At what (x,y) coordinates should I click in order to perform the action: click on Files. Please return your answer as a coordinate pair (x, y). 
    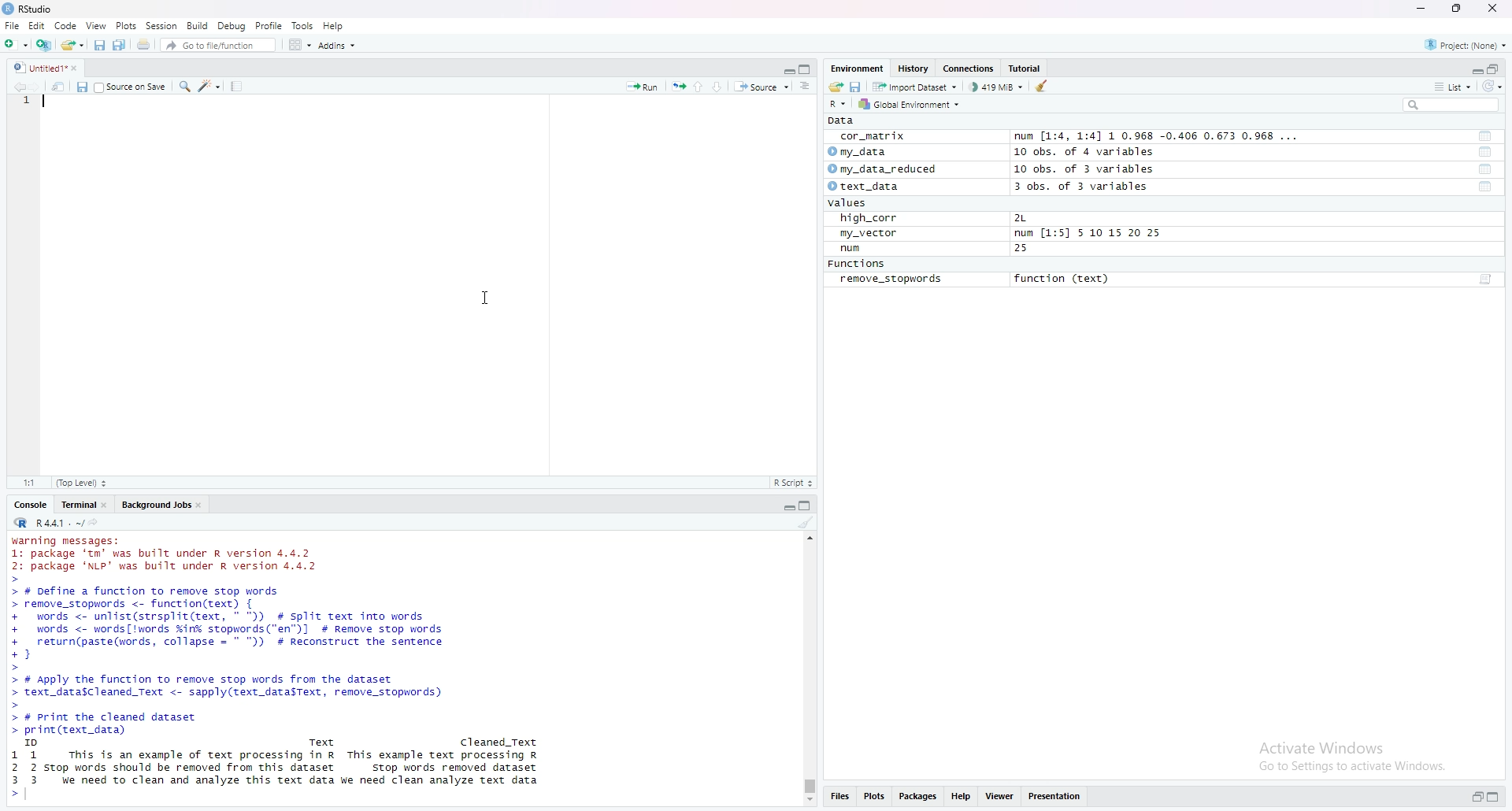
    Looking at the image, I should click on (836, 797).